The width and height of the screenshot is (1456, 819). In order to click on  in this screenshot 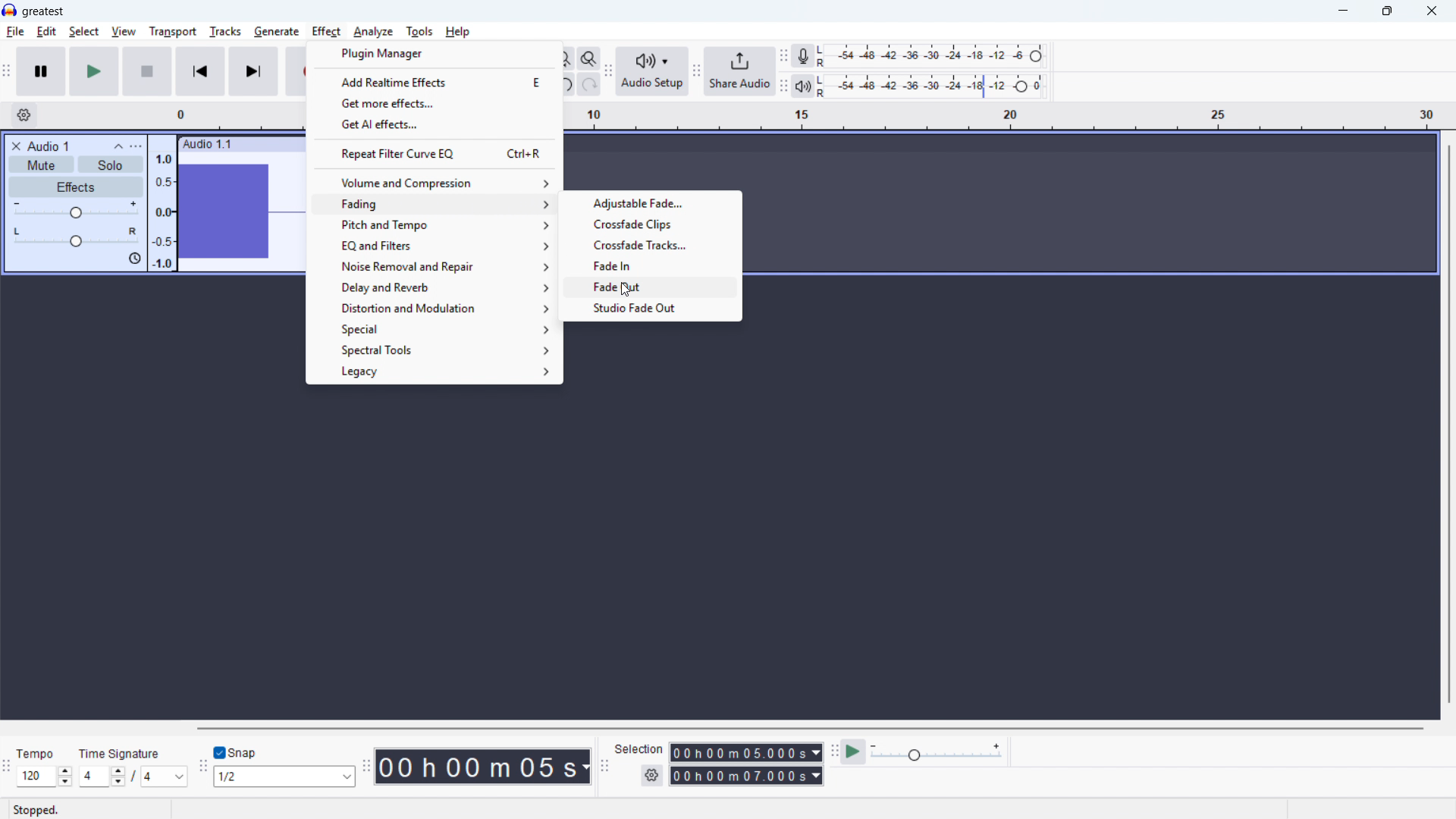, I will do `click(325, 727)`.